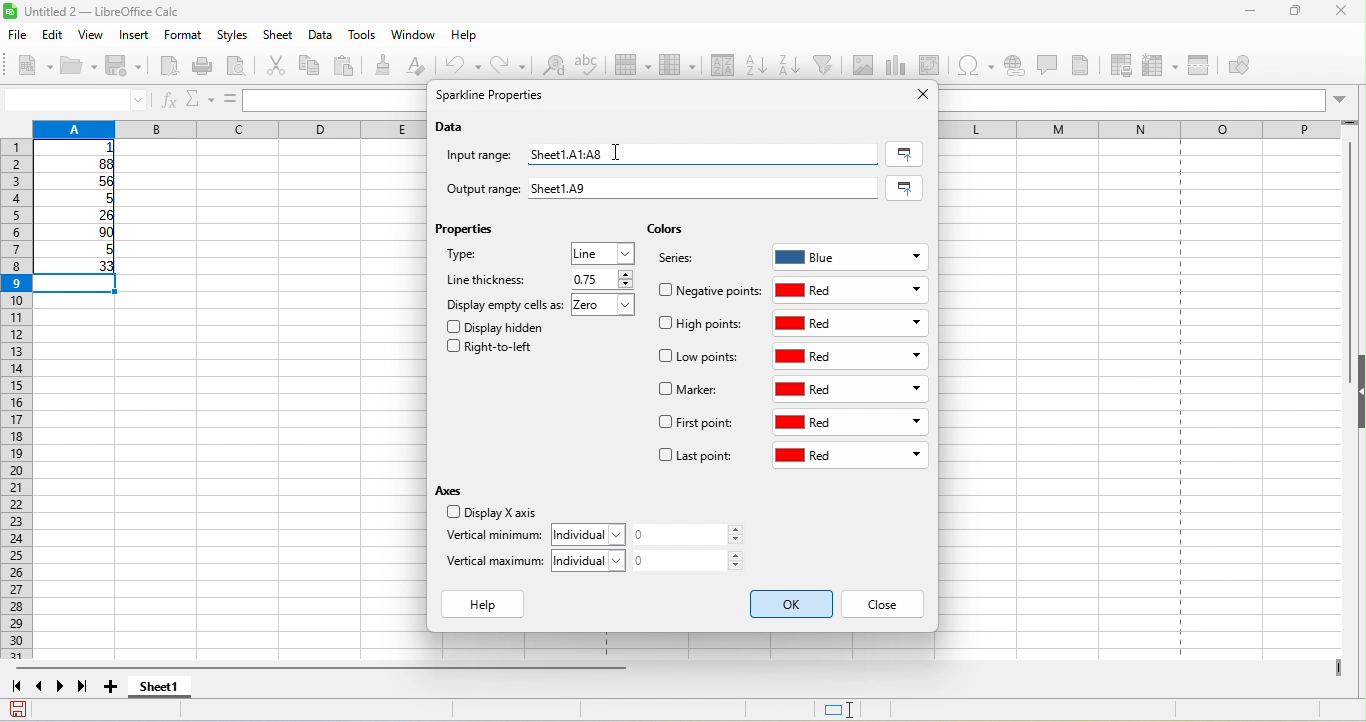 The height and width of the screenshot is (722, 1366). Describe the element at coordinates (1126, 65) in the screenshot. I see `defined print area` at that location.